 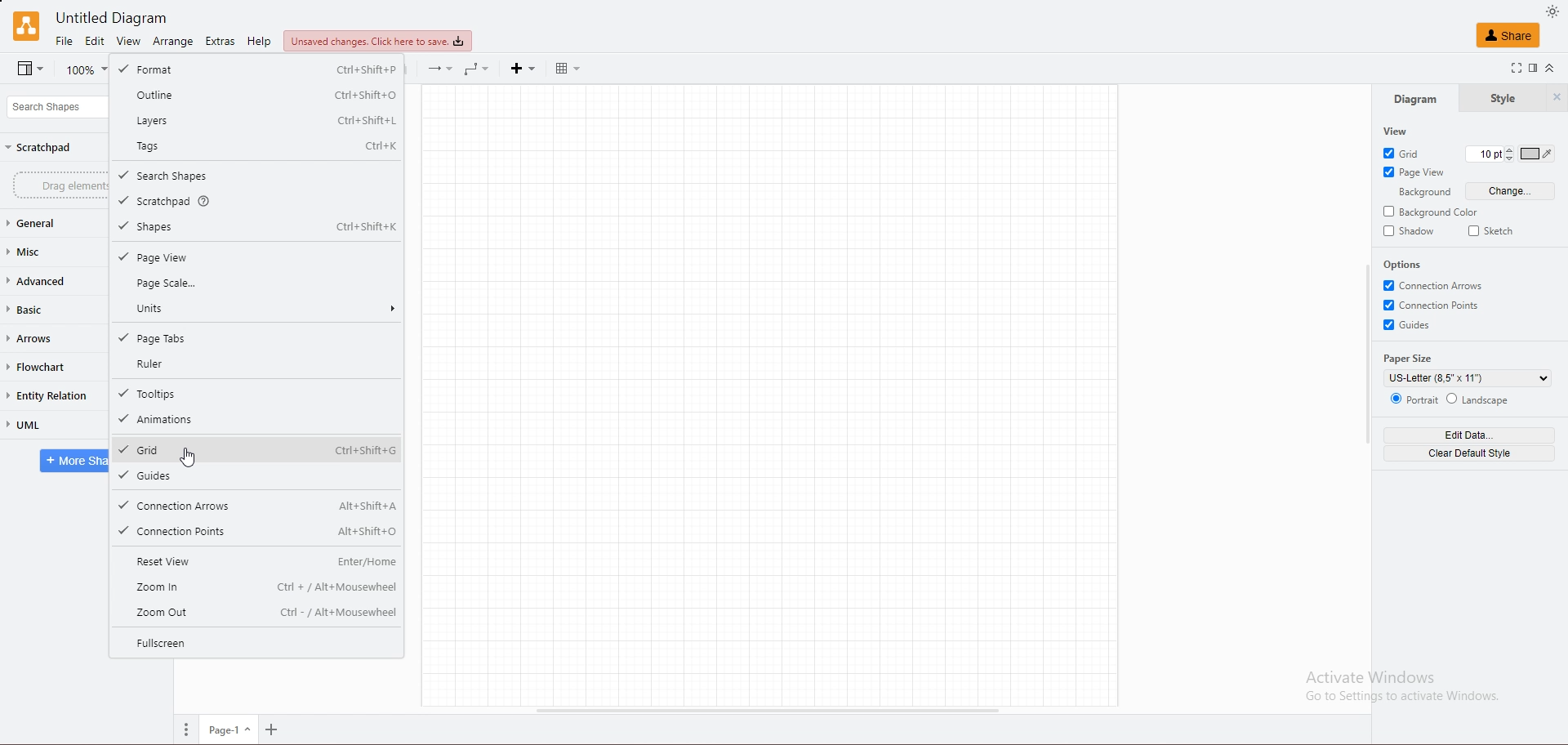 I want to click on cursor, so click(x=188, y=459).